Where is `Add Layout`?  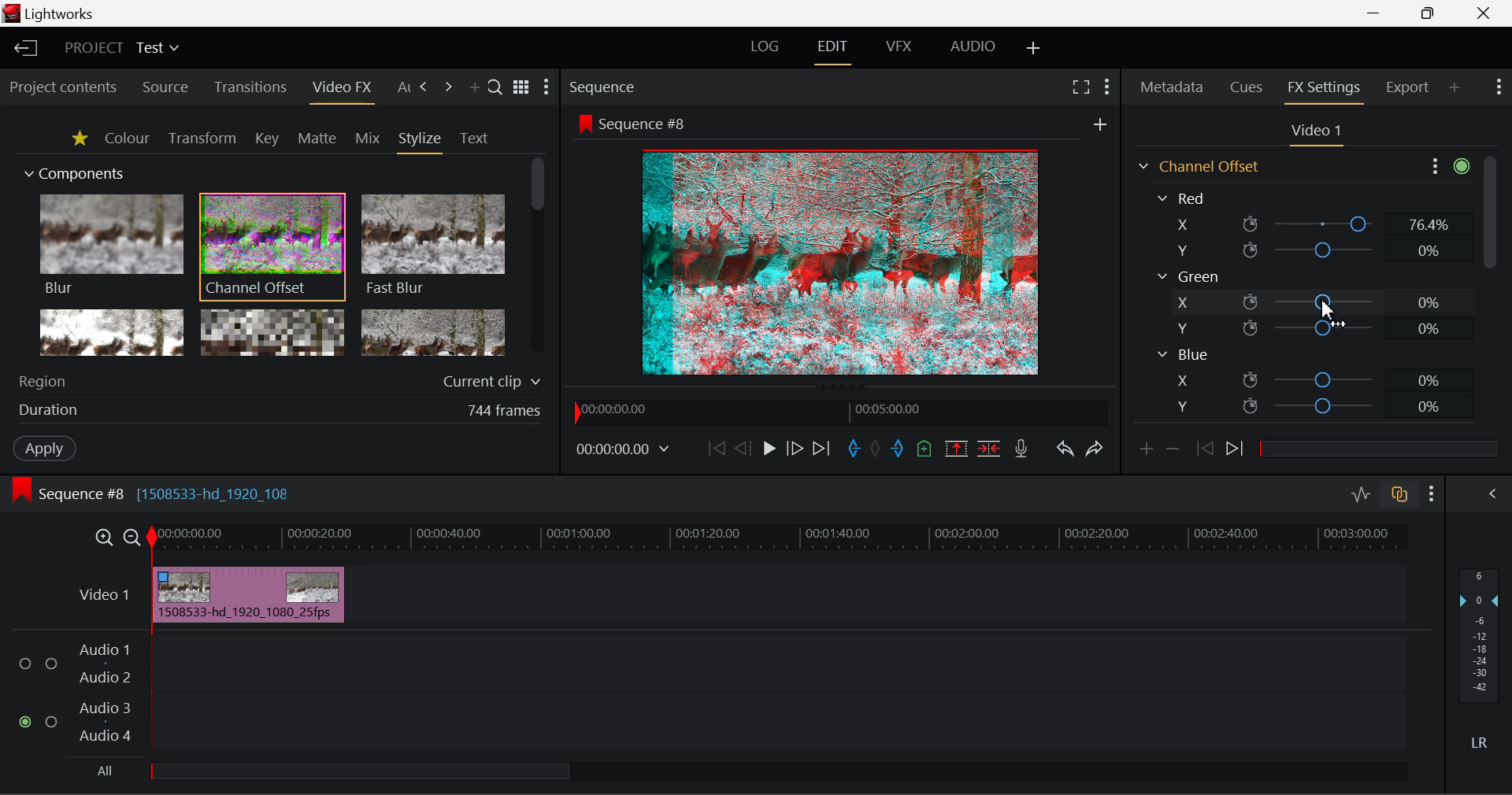
Add Layout is located at coordinates (1034, 51).